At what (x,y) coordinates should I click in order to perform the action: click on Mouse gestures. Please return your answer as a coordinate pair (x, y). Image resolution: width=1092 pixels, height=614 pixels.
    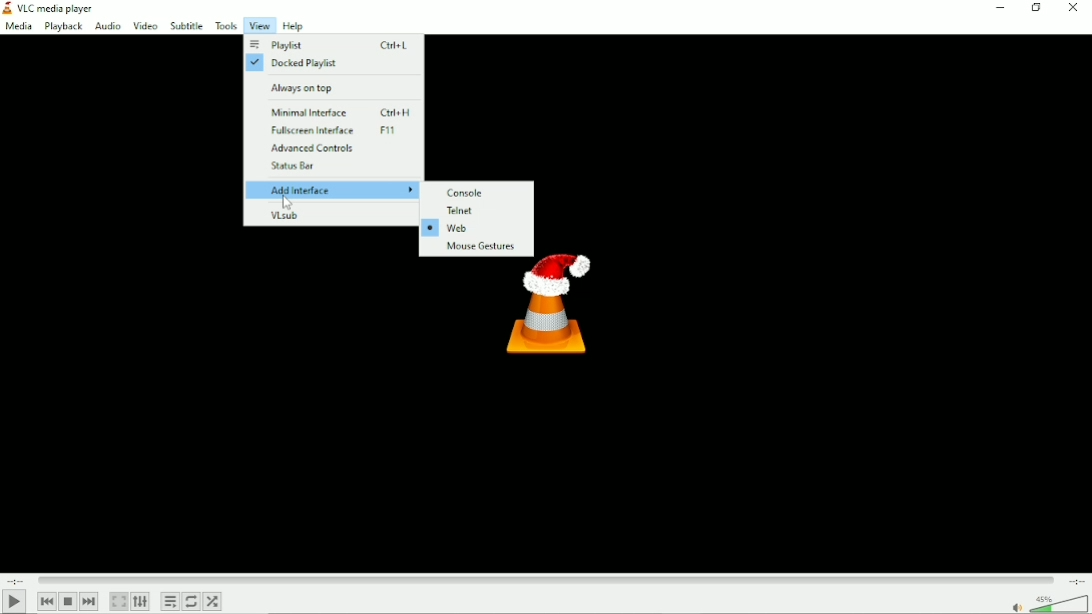
    Looking at the image, I should click on (477, 247).